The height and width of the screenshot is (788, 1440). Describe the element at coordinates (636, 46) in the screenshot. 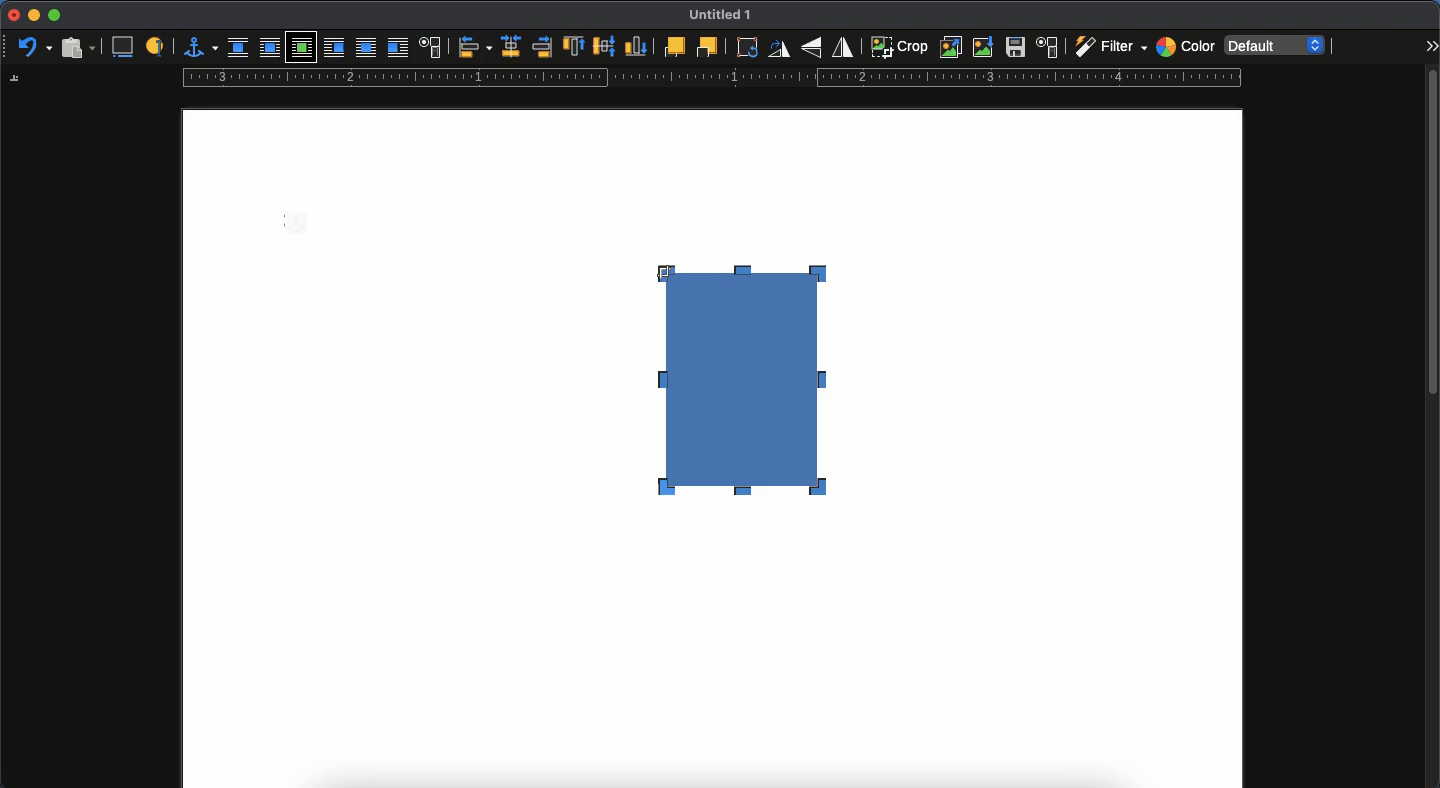

I see `bottom to anchor` at that location.